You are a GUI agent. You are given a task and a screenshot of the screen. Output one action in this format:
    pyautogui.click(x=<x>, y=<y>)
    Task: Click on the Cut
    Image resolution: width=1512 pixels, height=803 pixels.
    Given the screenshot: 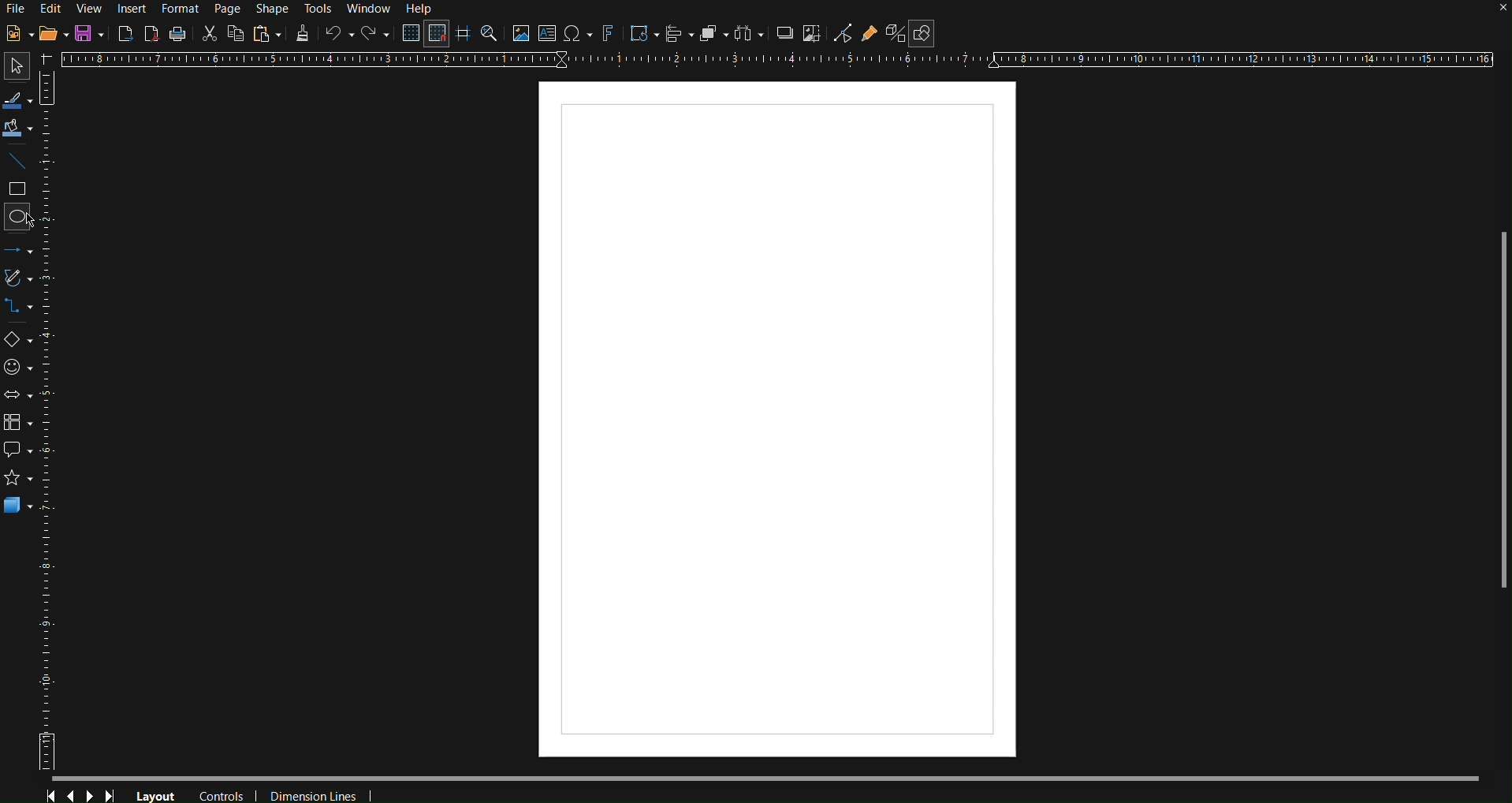 What is the action you would take?
    pyautogui.click(x=209, y=32)
    